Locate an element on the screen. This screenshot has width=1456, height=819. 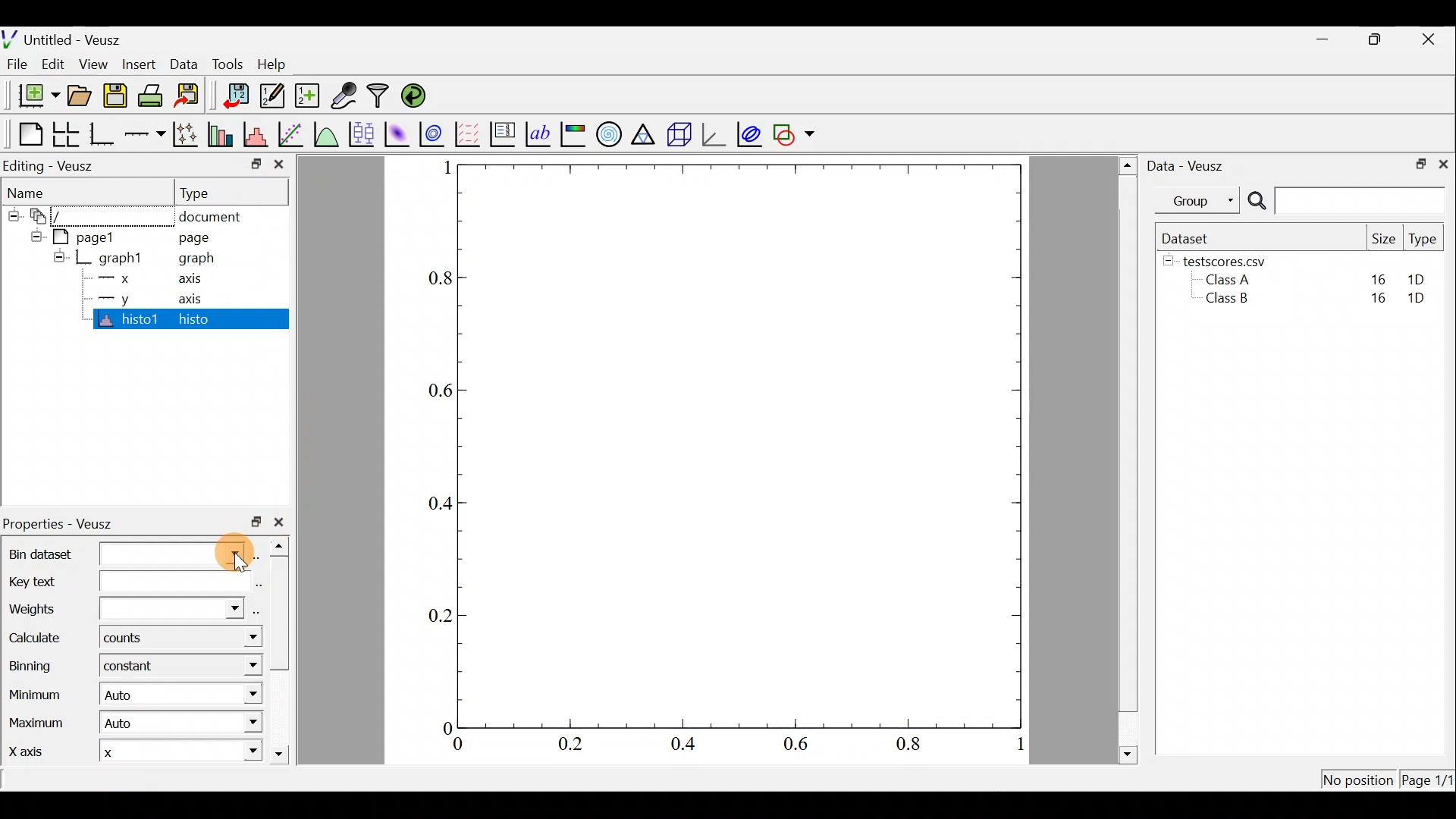
Export to graphics format is located at coordinates (190, 96).